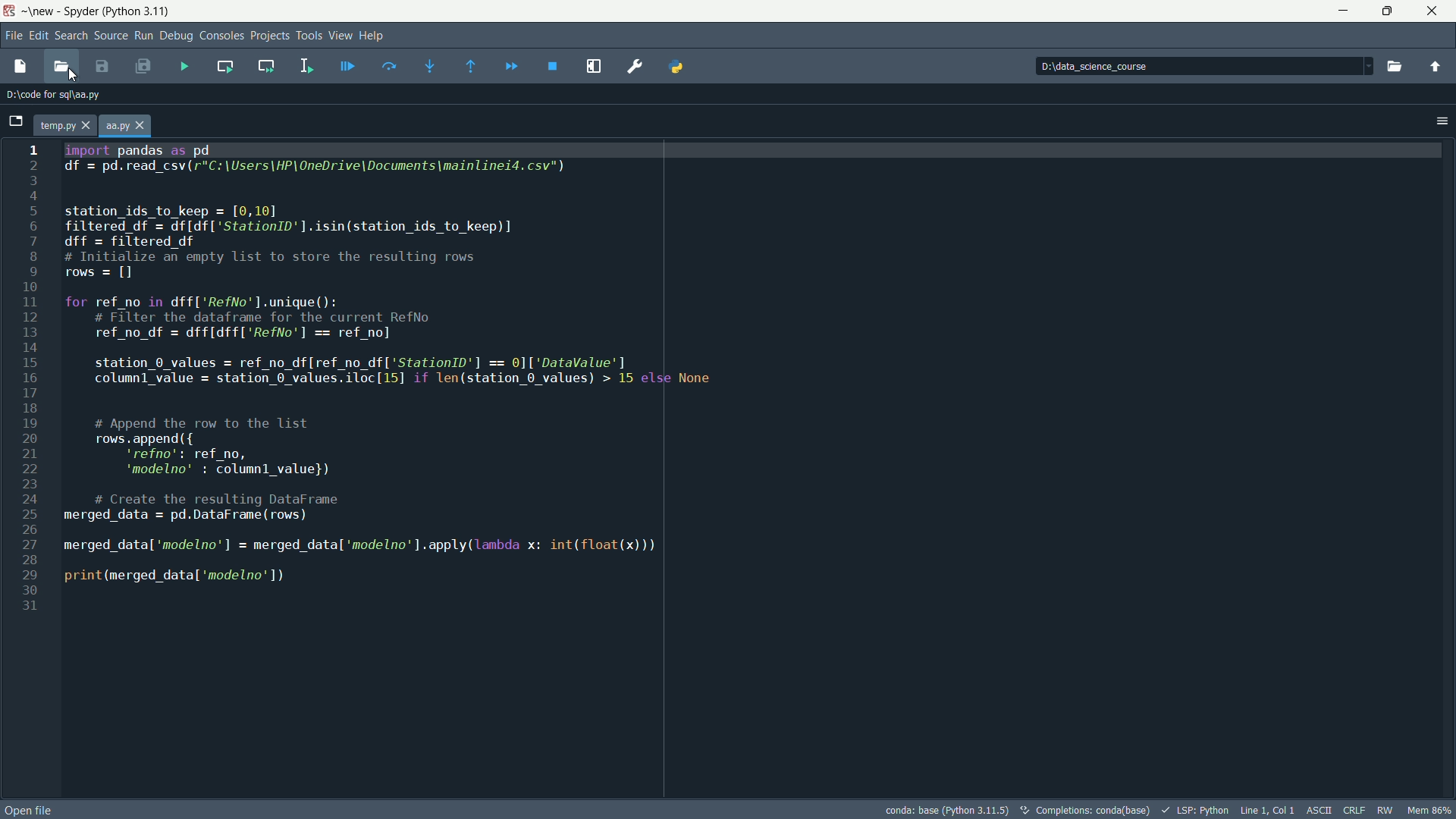 This screenshot has height=819, width=1456. I want to click on save all files, so click(143, 67).